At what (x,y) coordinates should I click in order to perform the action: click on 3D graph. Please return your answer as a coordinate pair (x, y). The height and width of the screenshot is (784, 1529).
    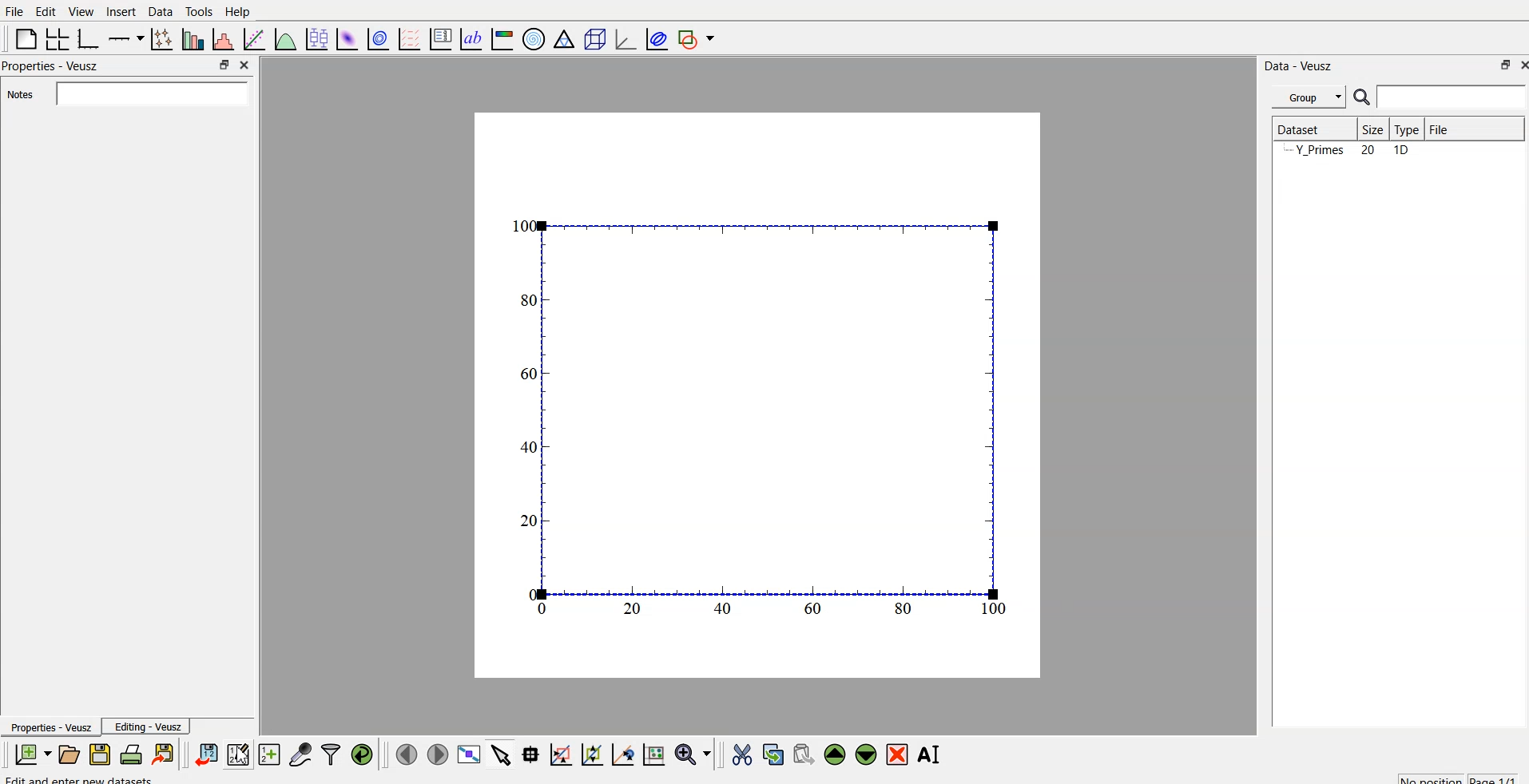
    Looking at the image, I should click on (624, 39).